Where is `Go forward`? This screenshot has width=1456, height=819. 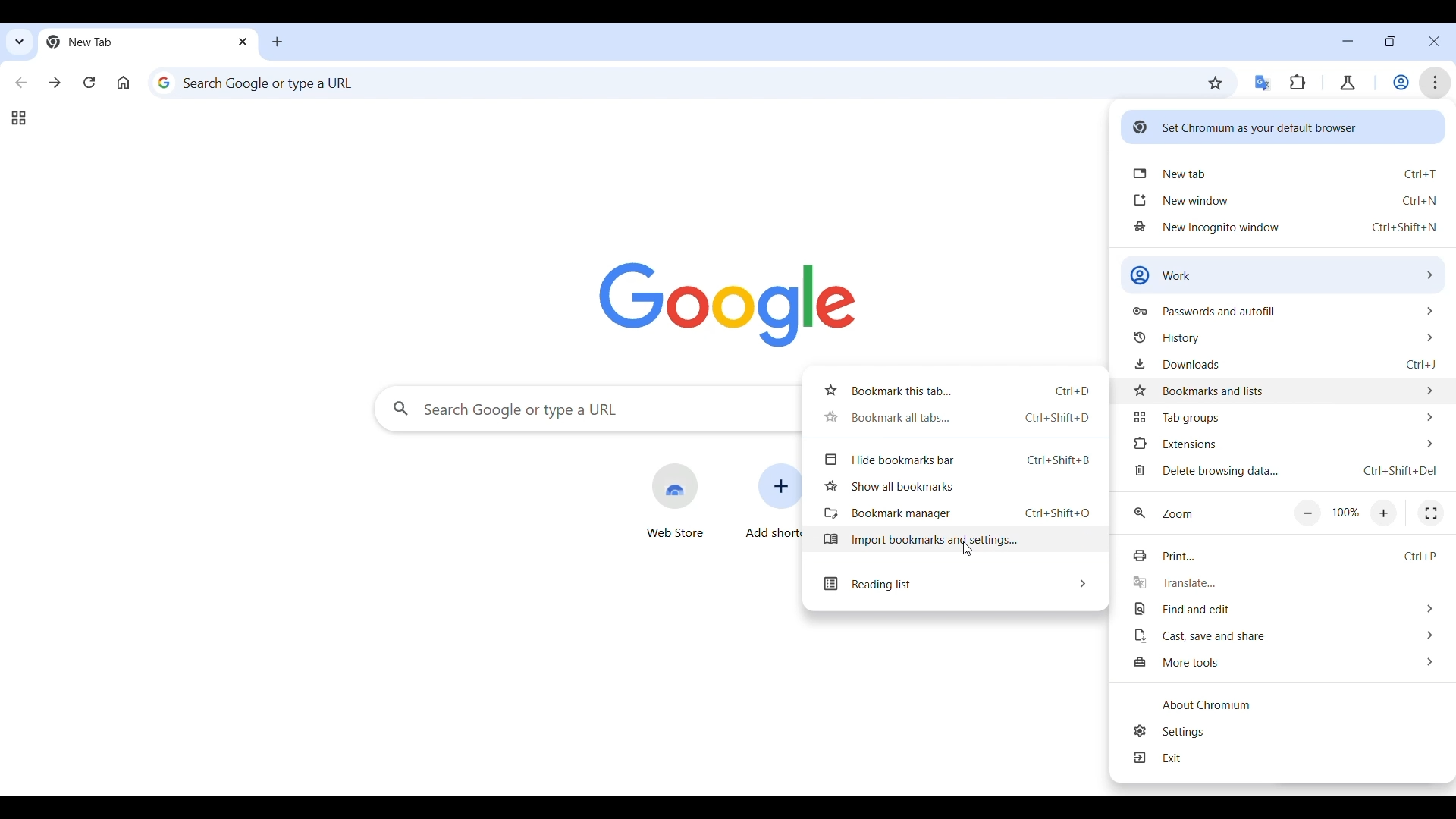 Go forward is located at coordinates (55, 82).